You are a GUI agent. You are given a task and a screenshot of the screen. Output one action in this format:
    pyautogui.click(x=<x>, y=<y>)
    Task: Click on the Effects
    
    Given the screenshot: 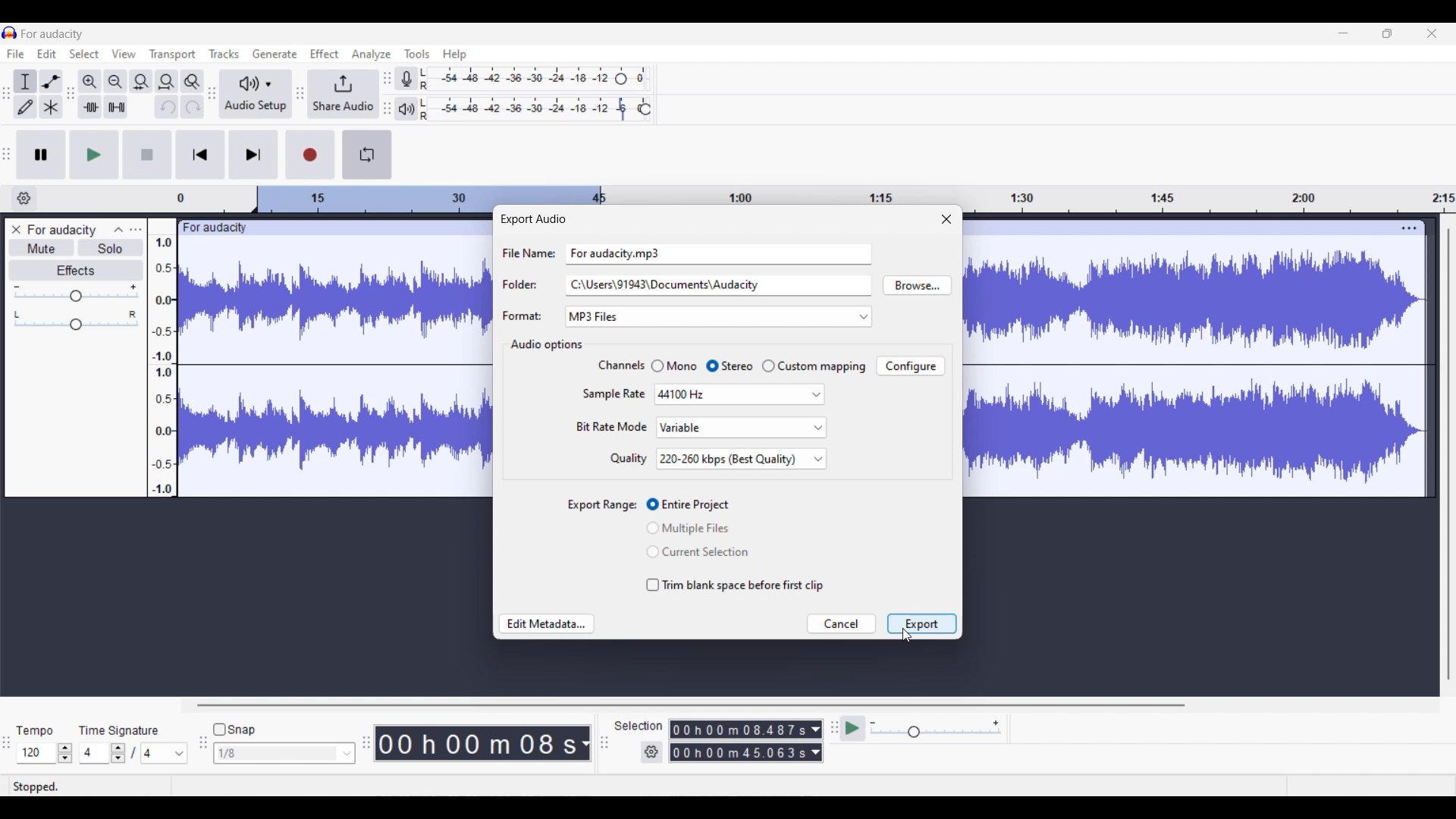 What is the action you would take?
    pyautogui.click(x=77, y=271)
    